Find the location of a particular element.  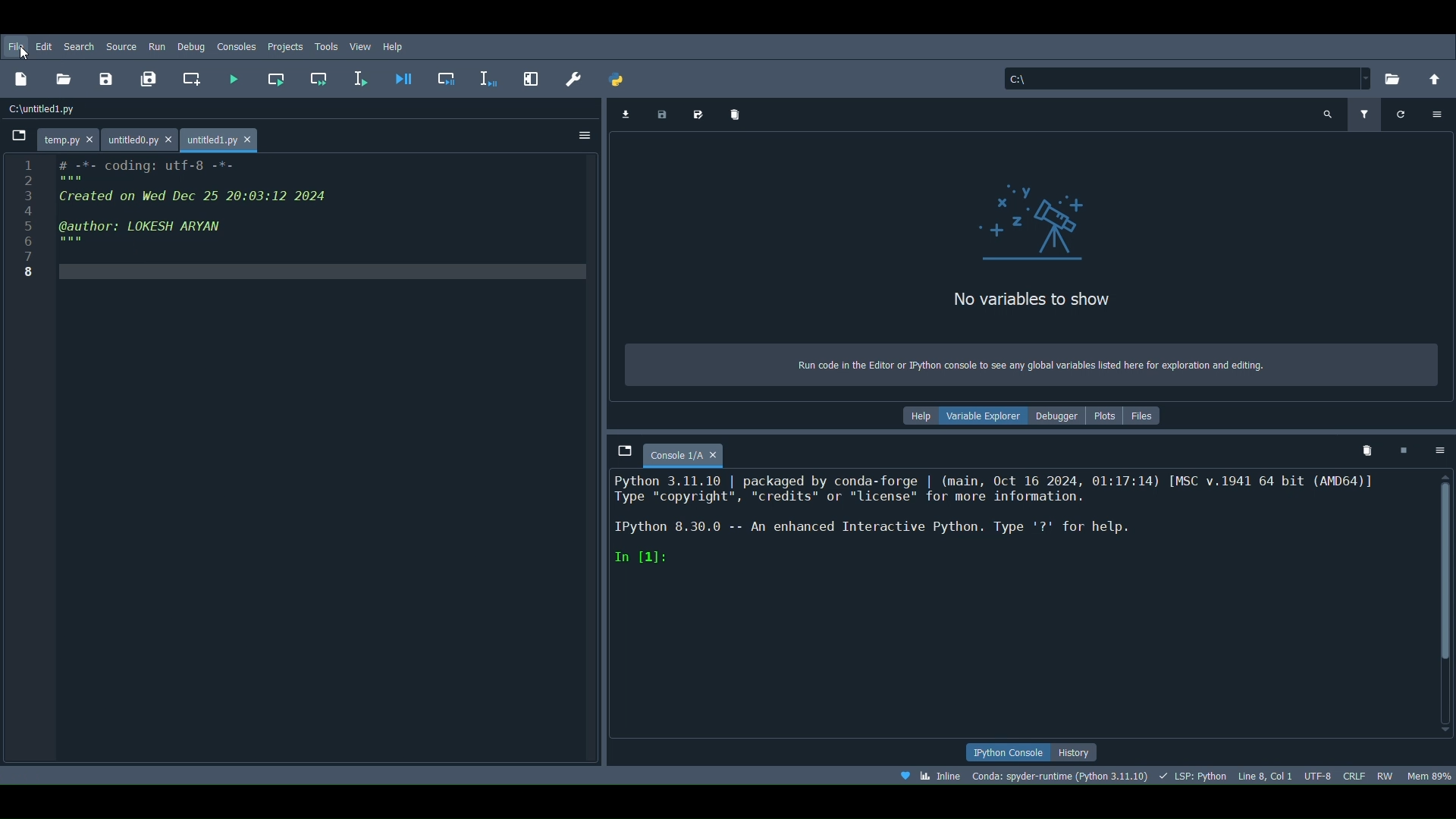

Run file (F5) is located at coordinates (232, 78).